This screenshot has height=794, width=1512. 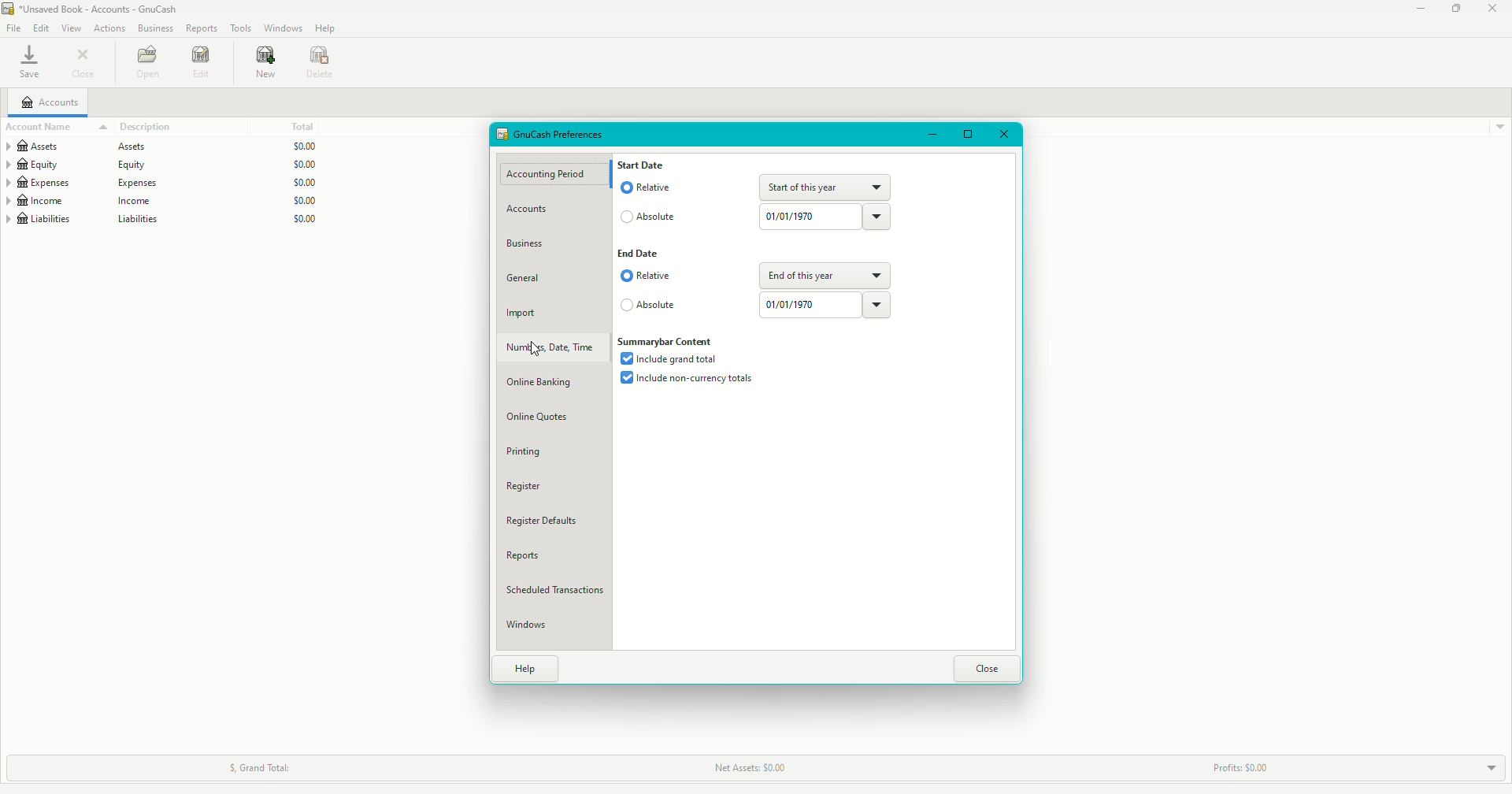 I want to click on Close, so click(x=988, y=666).